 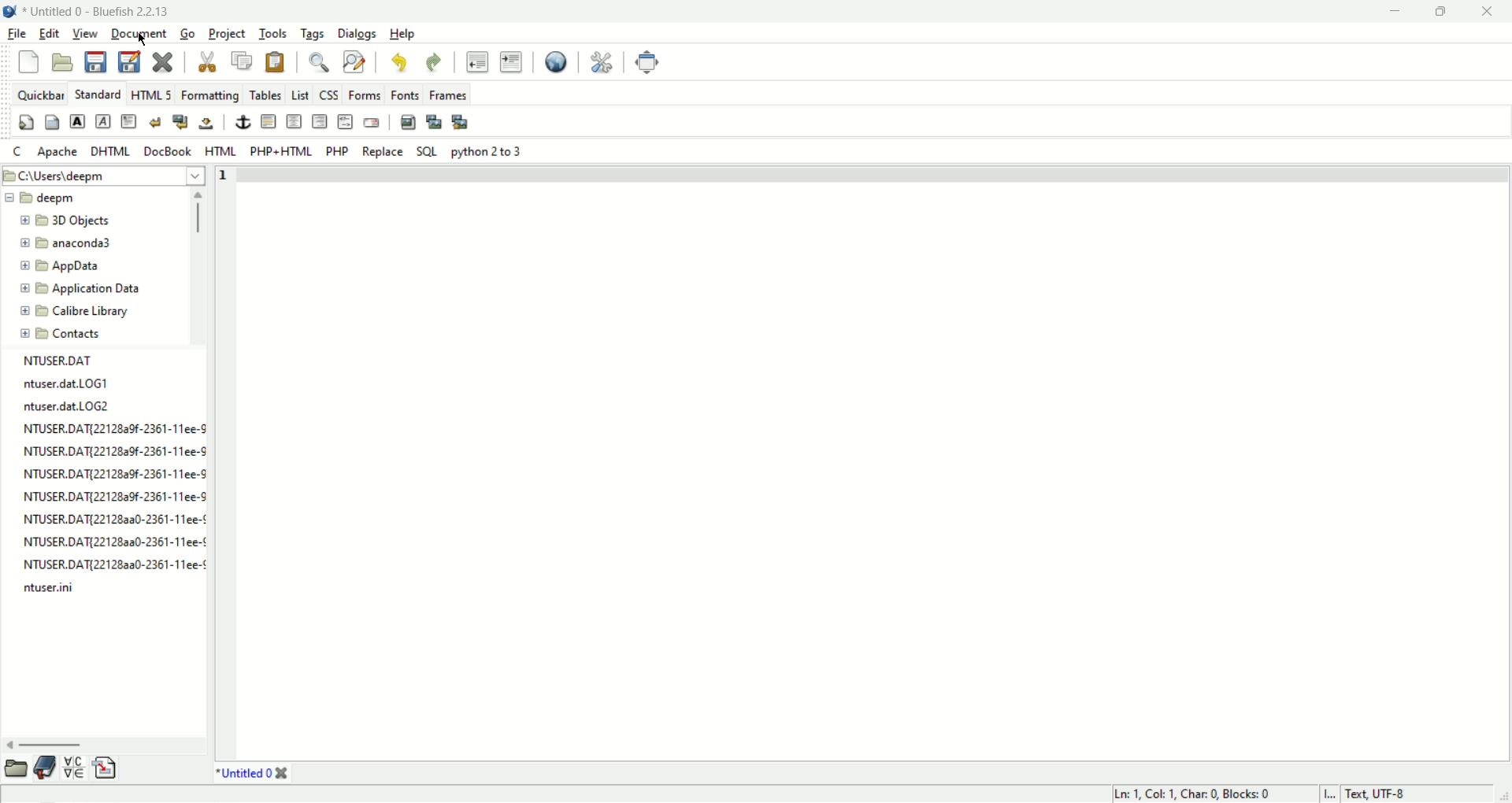 I want to click on new file, so click(x=30, y=62).